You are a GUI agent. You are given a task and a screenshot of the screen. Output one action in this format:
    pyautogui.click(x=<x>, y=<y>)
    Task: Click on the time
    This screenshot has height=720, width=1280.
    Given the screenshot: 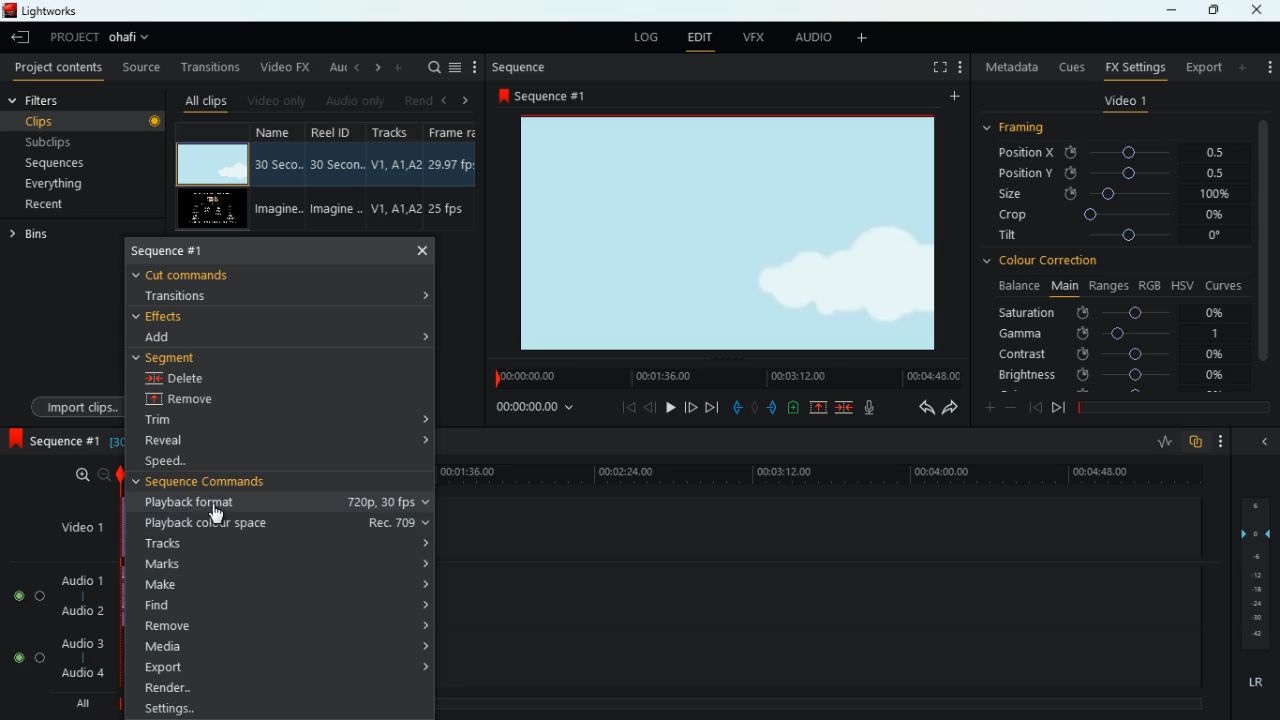 What is the action you would take?
    pyautogui.click(x=818, y=473)
    